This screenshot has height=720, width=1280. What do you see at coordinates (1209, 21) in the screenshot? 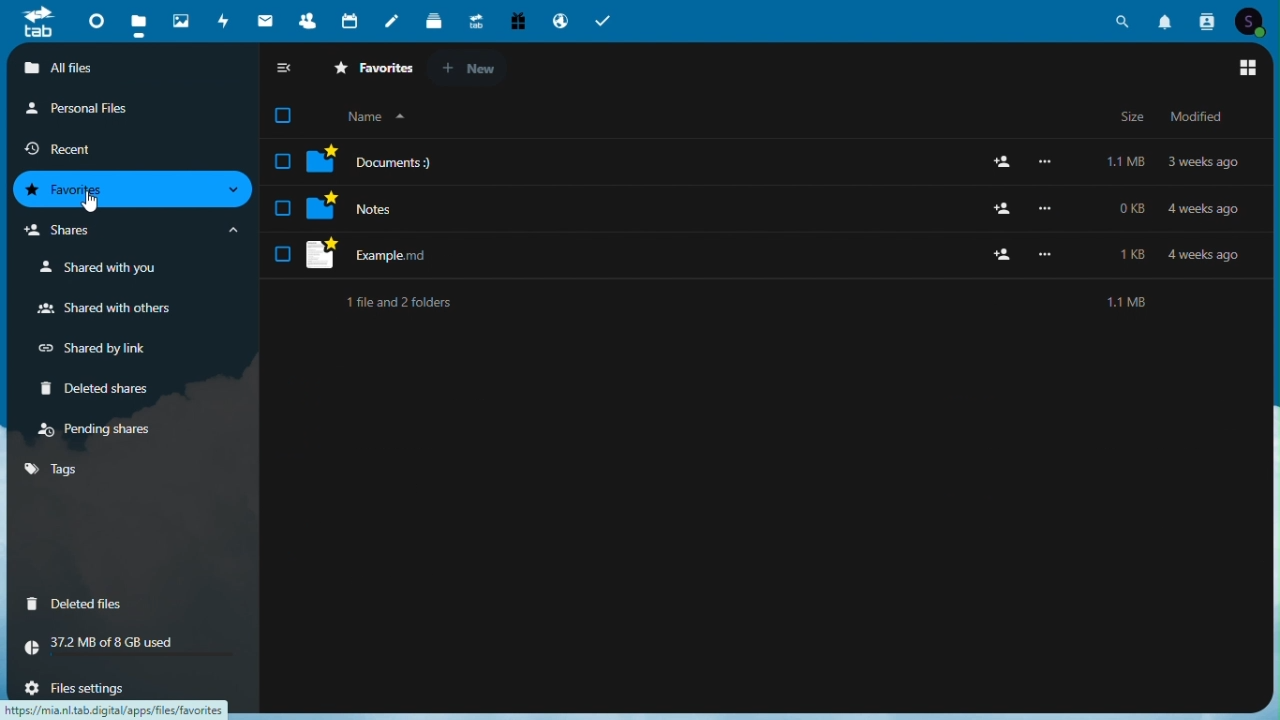
I see `Contacts` at bounding box center [1209, 21].